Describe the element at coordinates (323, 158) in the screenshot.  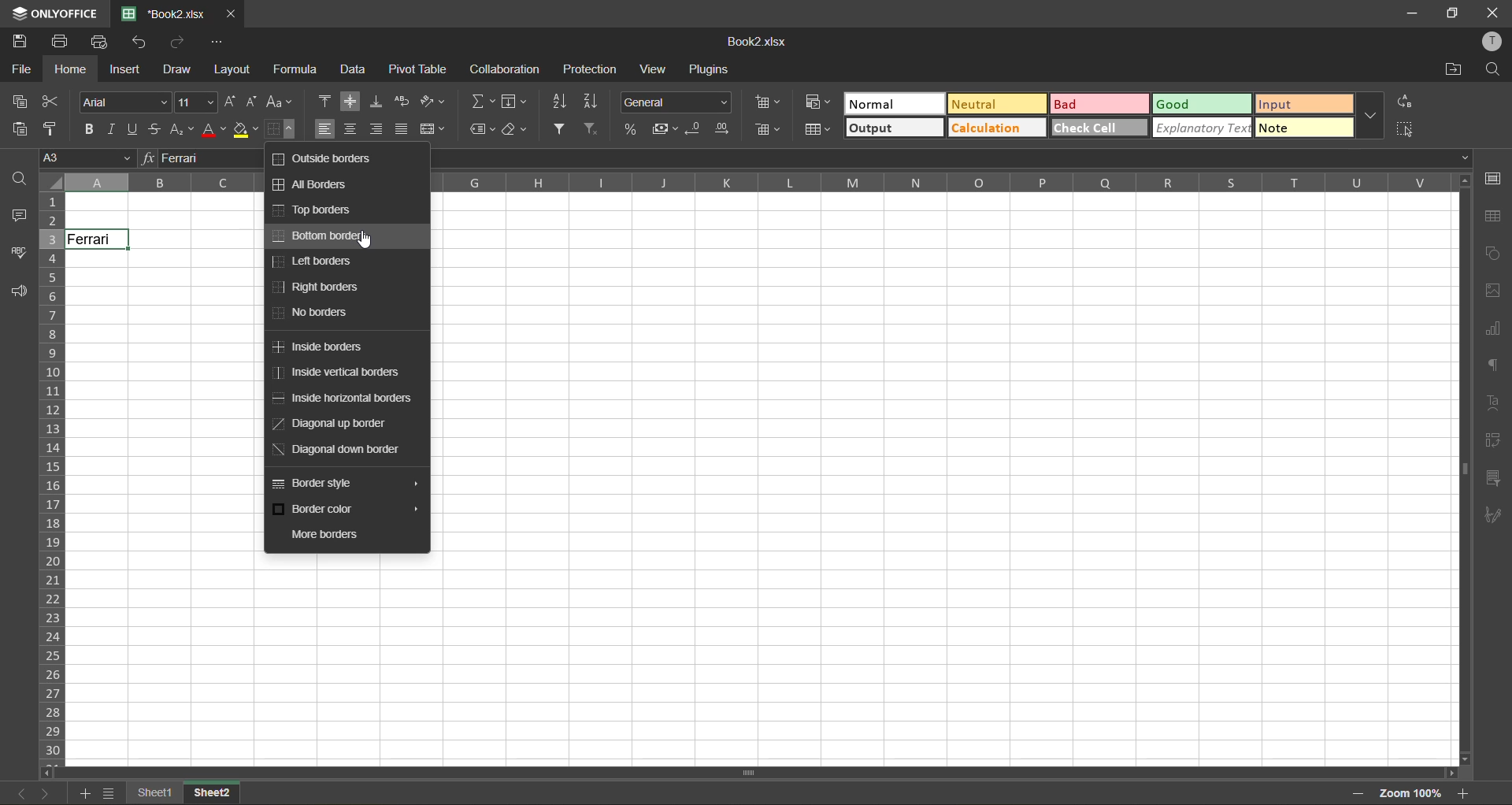
I see `outside borders` at that location.